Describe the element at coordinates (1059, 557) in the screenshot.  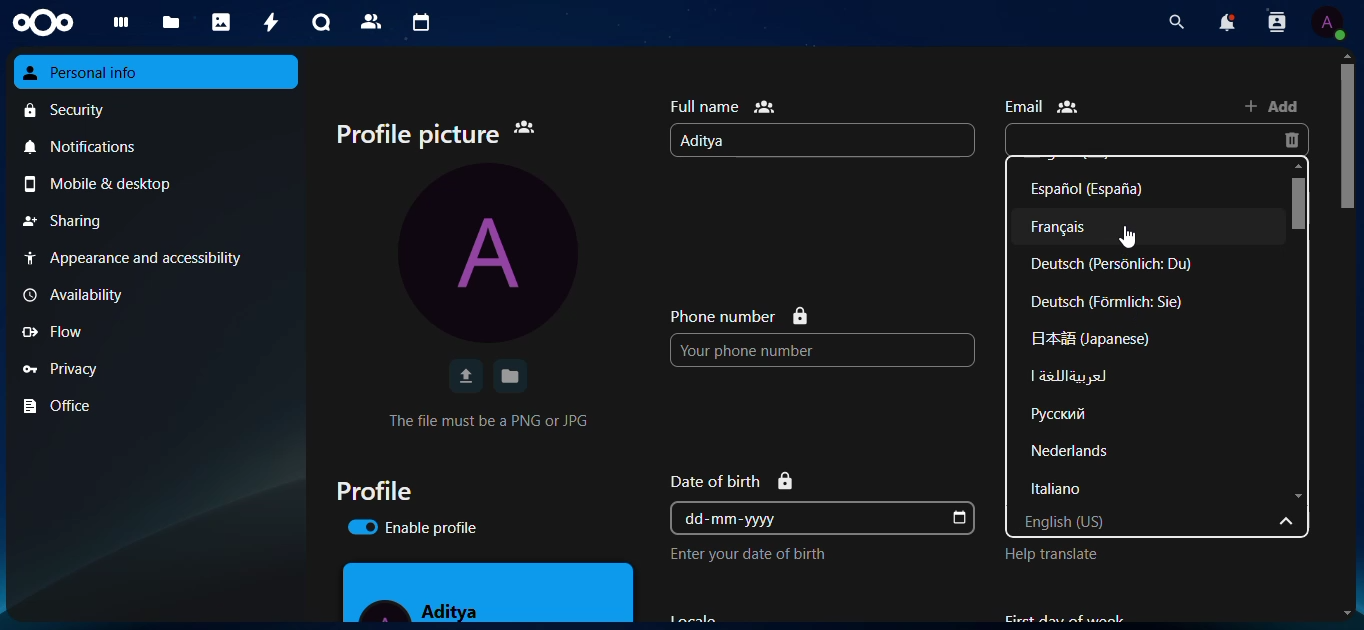
I see `help` at that location.